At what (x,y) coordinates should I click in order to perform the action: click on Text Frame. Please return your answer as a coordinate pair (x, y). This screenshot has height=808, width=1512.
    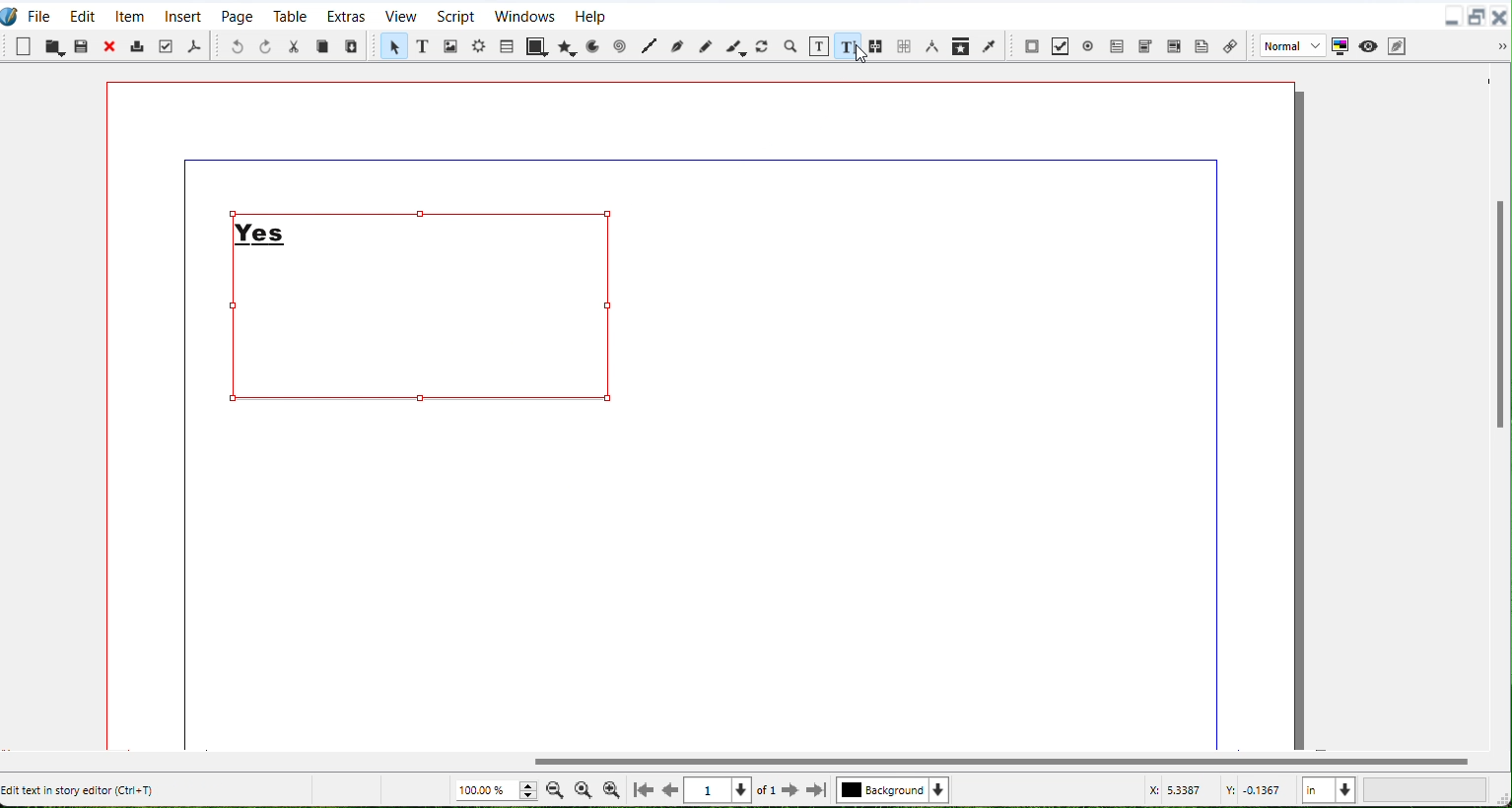
    Looking at the image, I should click on (421, 47).